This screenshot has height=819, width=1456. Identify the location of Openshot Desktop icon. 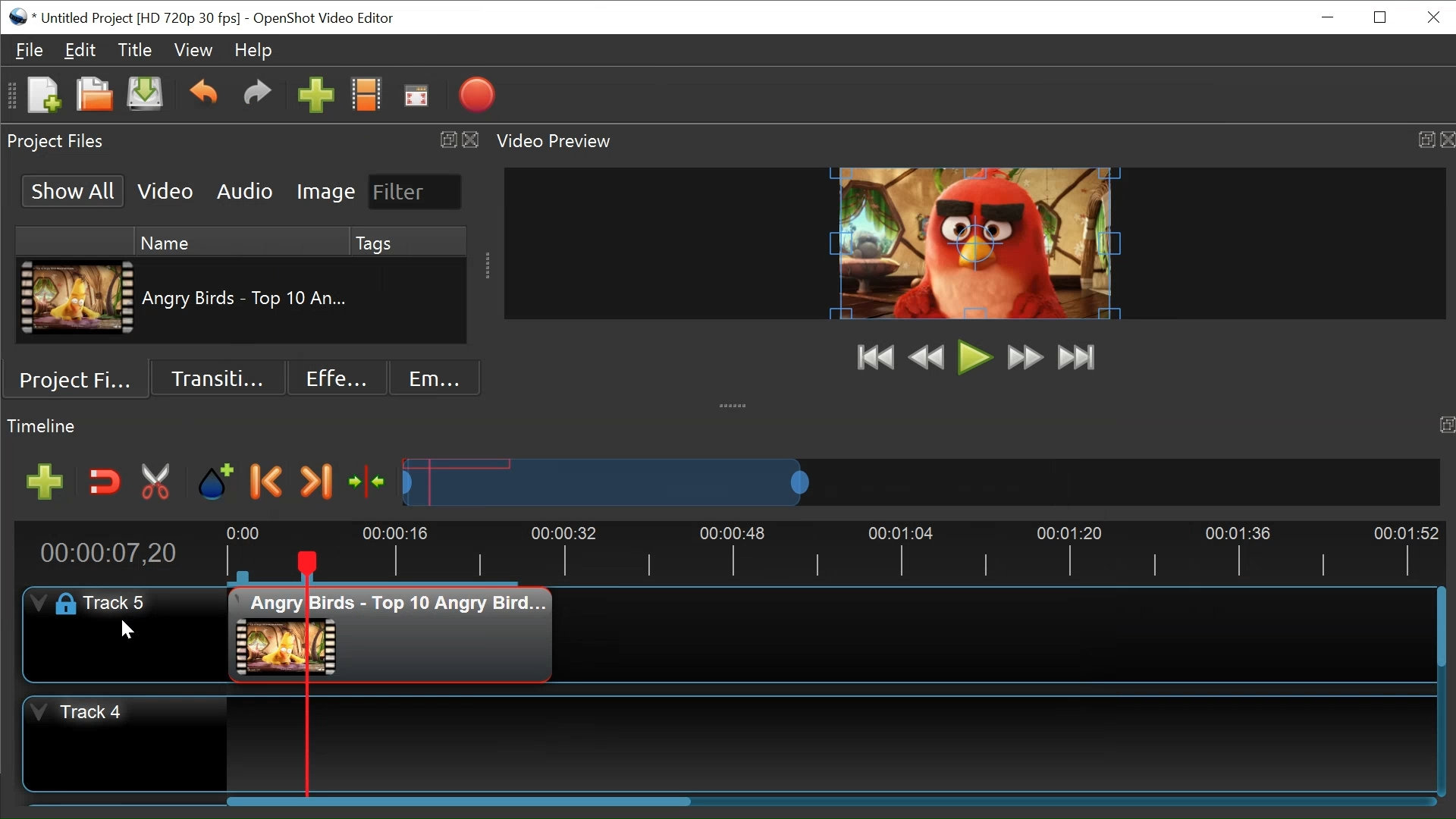
(19, 17).